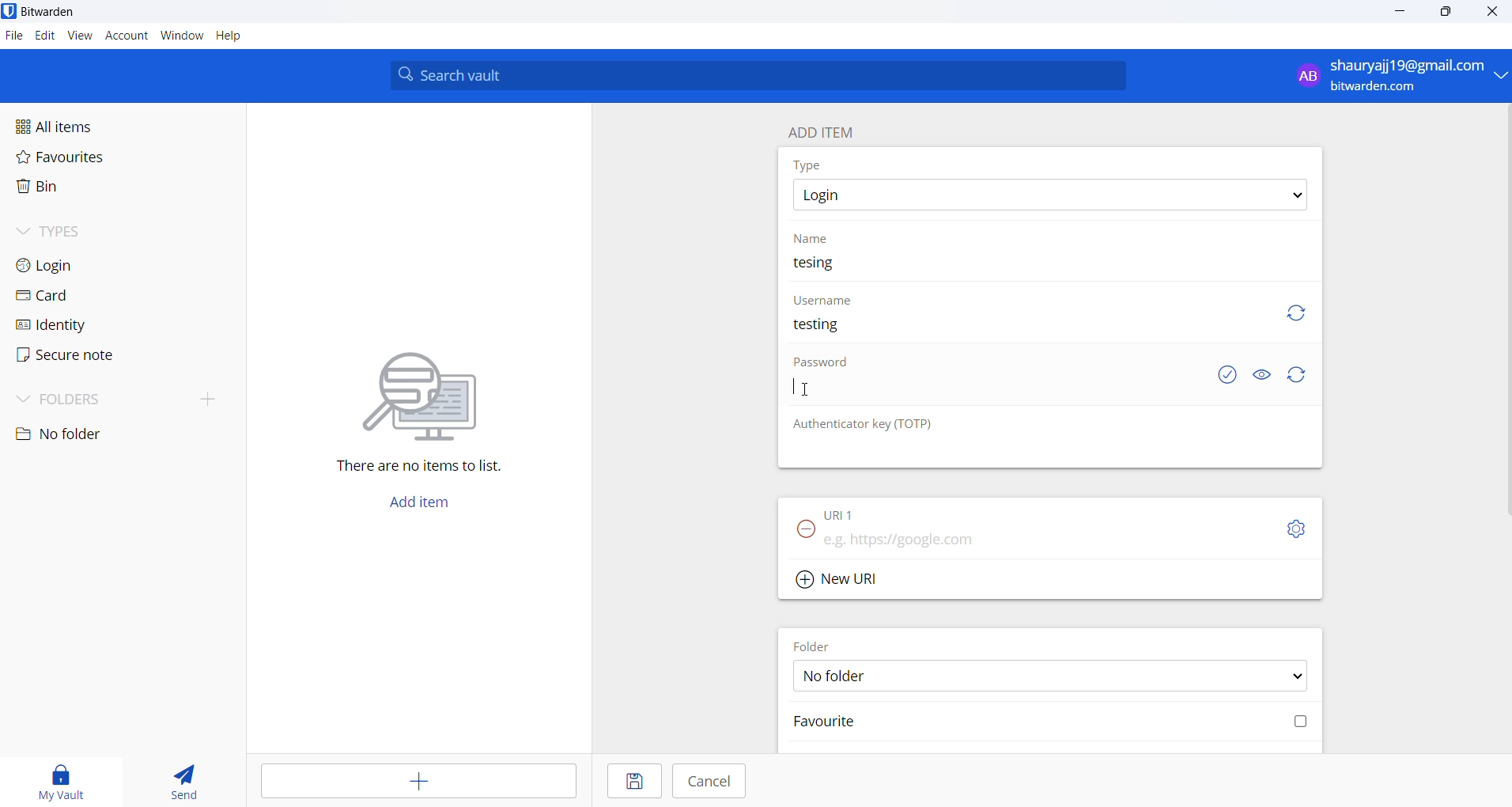 The width and height of the screenshot is (1512, 807). I want to click on File, so click(13, 36).